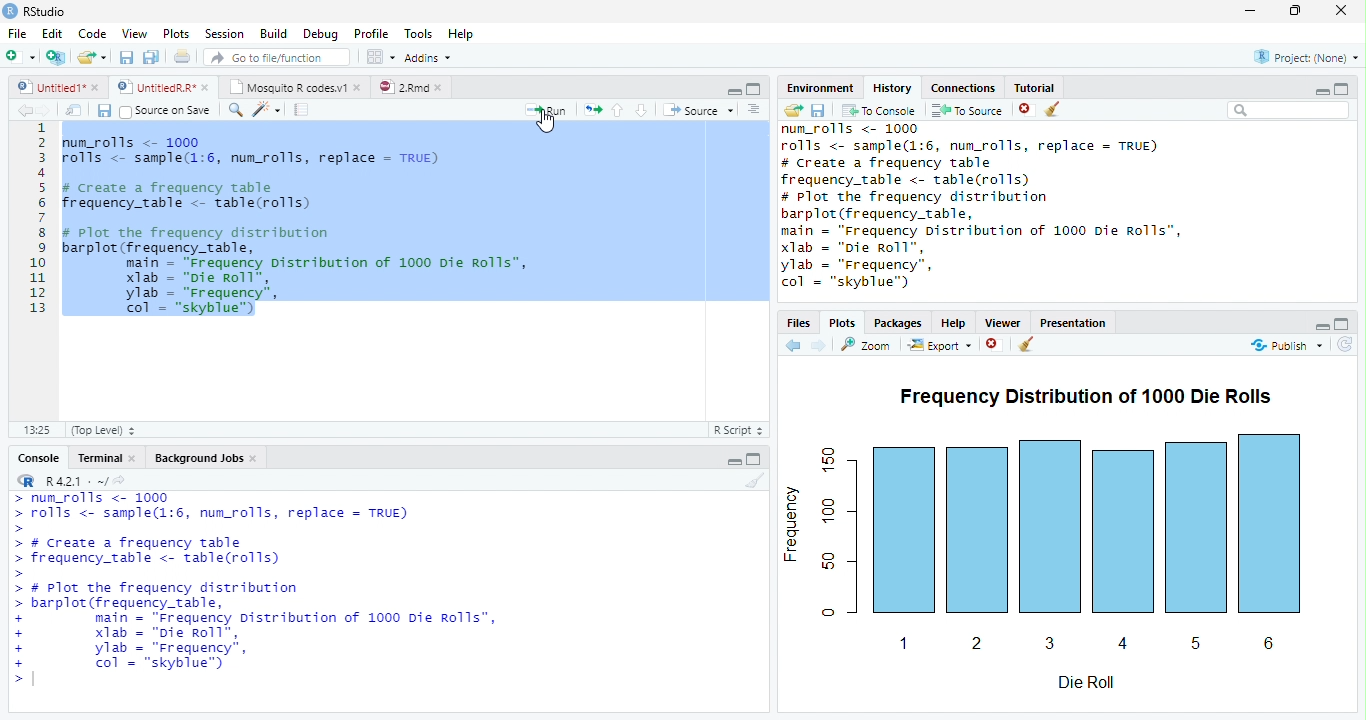 This screenshot has height=720, width=1366. Describe the element at coordinates (165, 111) in the screenshot. I see `Source on Save` at that location.